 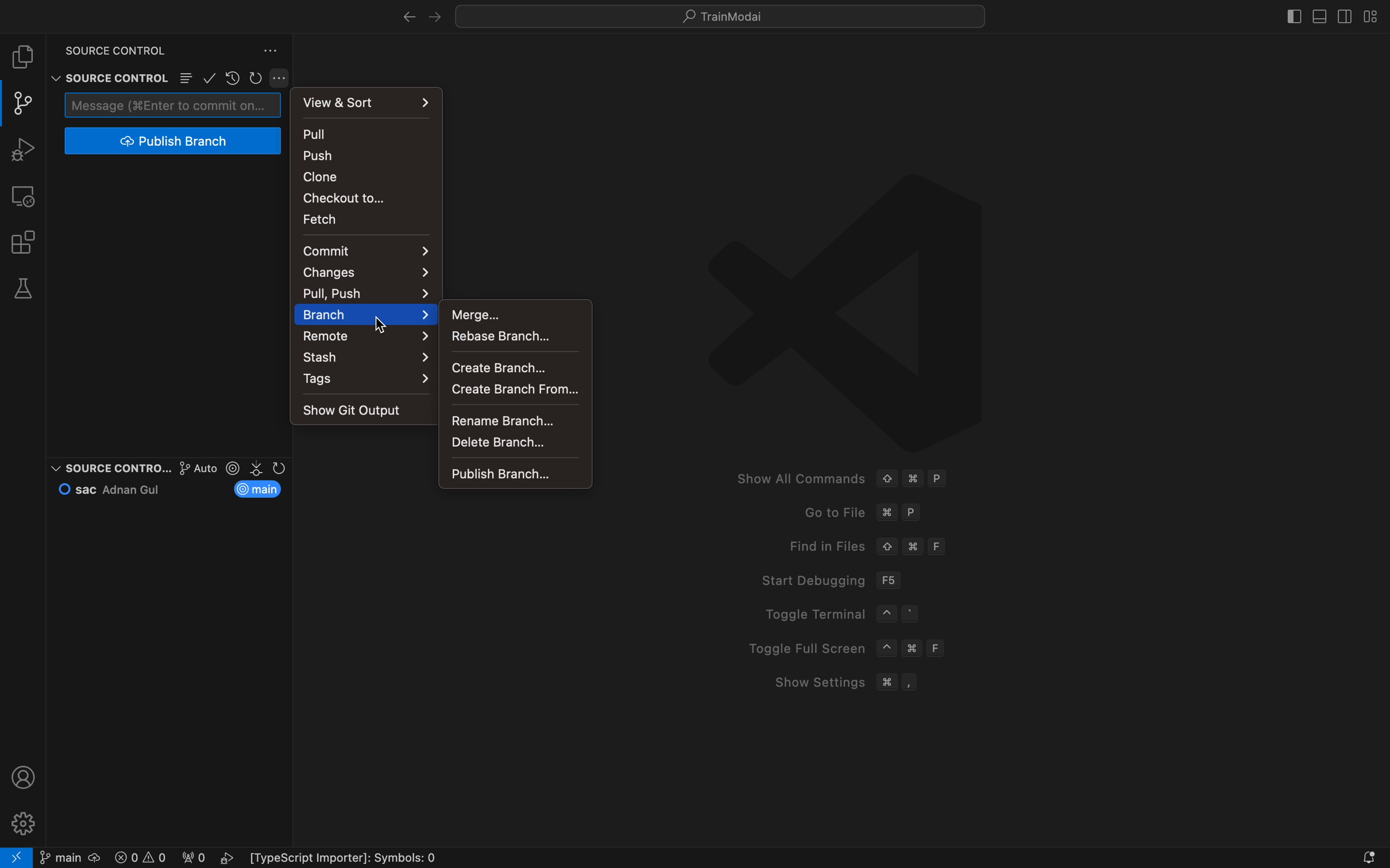 What do you see at coordinates (369, 100) in the screenshot?
I see `view` at bounding box center [369, 100].